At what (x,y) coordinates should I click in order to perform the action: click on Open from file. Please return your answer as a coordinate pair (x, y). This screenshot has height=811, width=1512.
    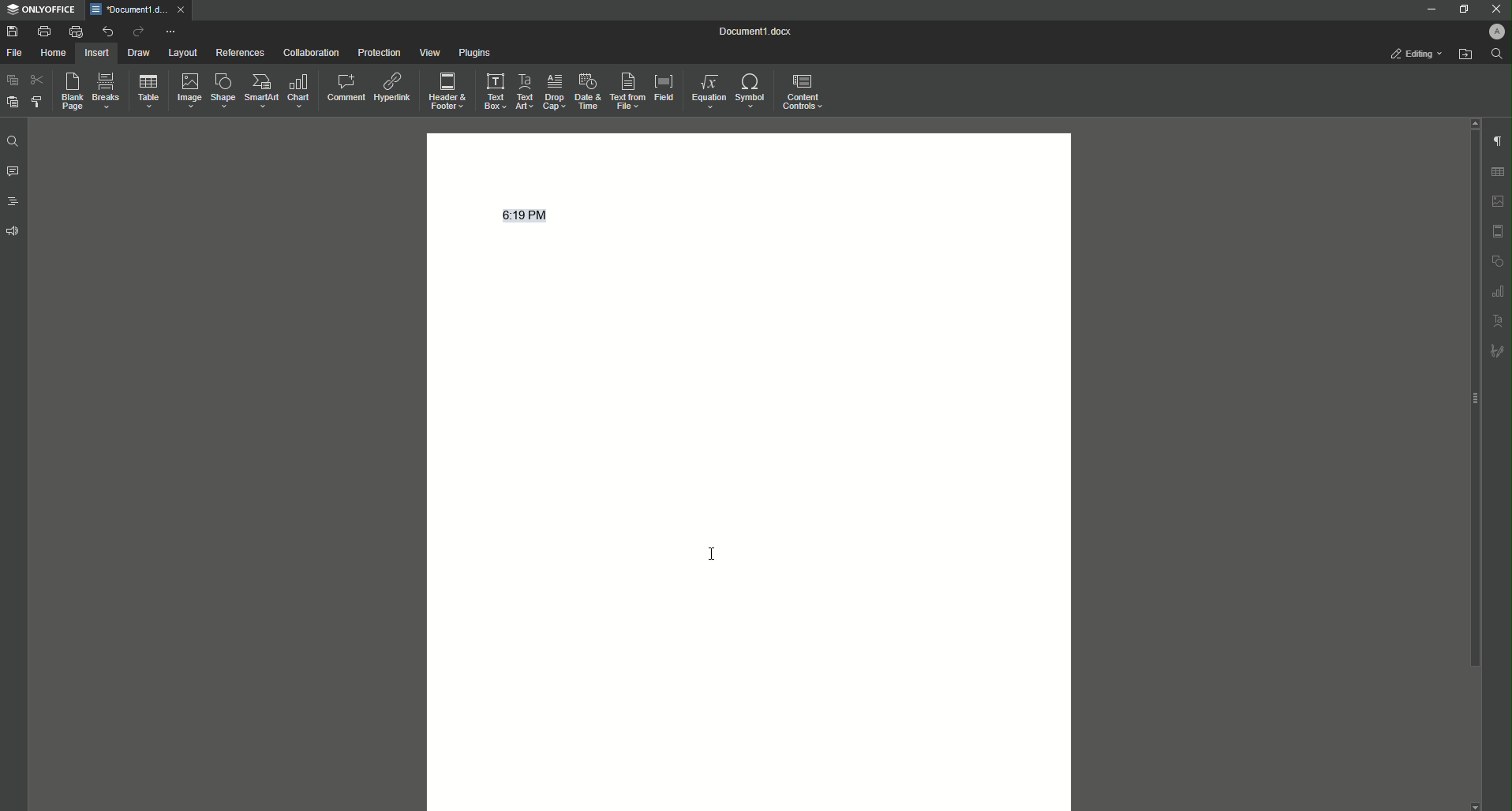
    Looking at the image, I should click on (1465, 54).